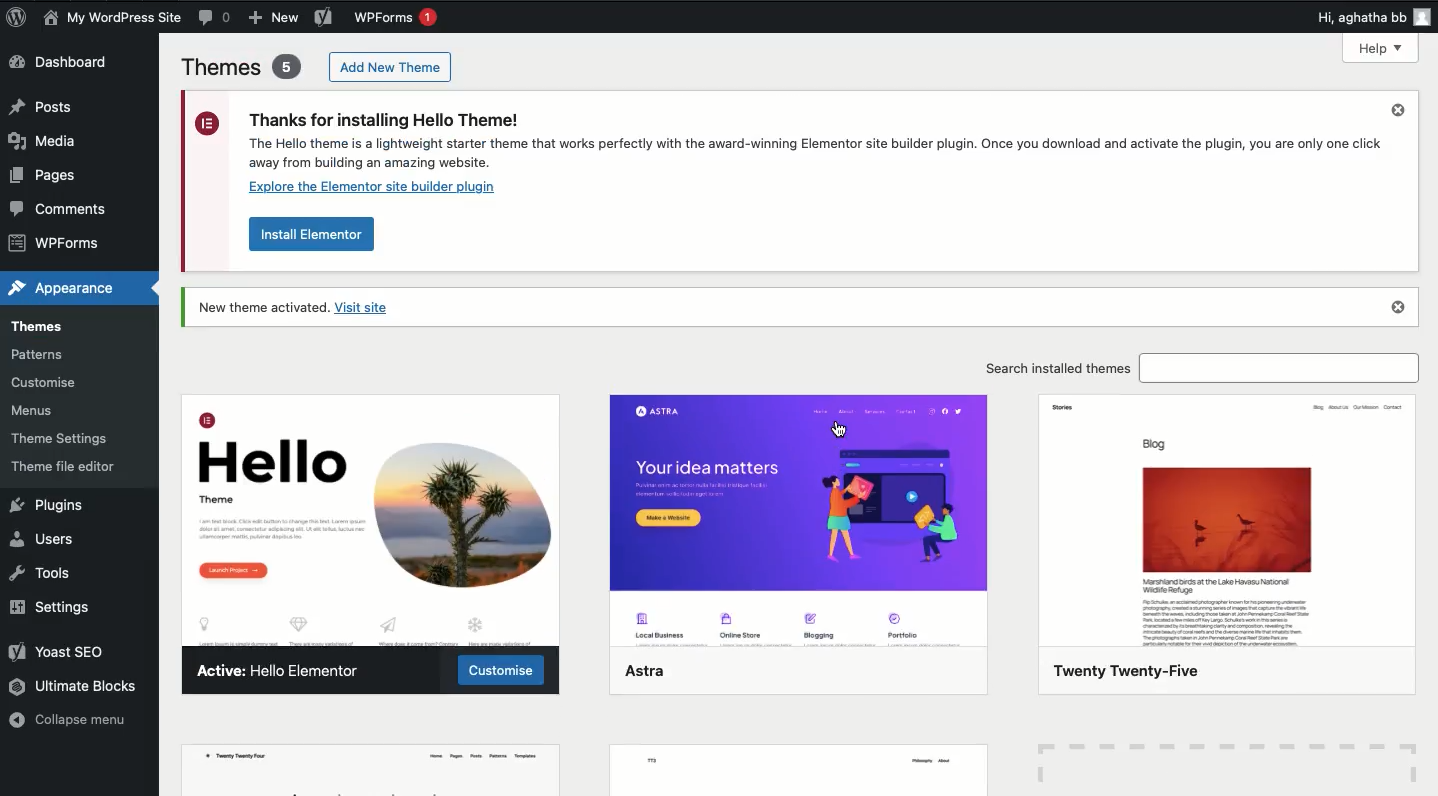 This screenshot has width=1438, height=796. What do you see at coordinates (323, 16) in the screenshot?
I see `Yoast` at bounding box center [323, 16].